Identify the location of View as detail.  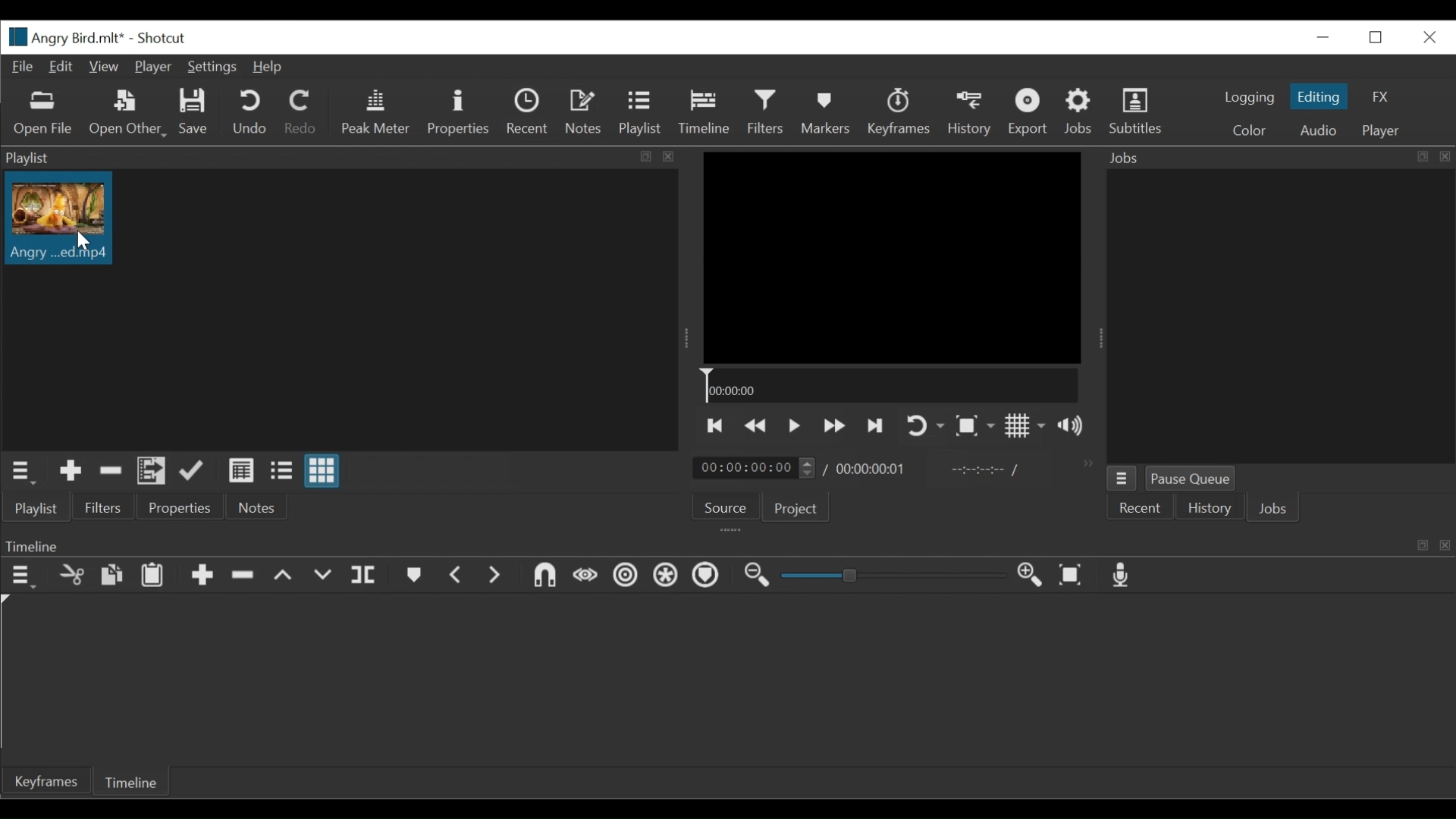
(240, 471).